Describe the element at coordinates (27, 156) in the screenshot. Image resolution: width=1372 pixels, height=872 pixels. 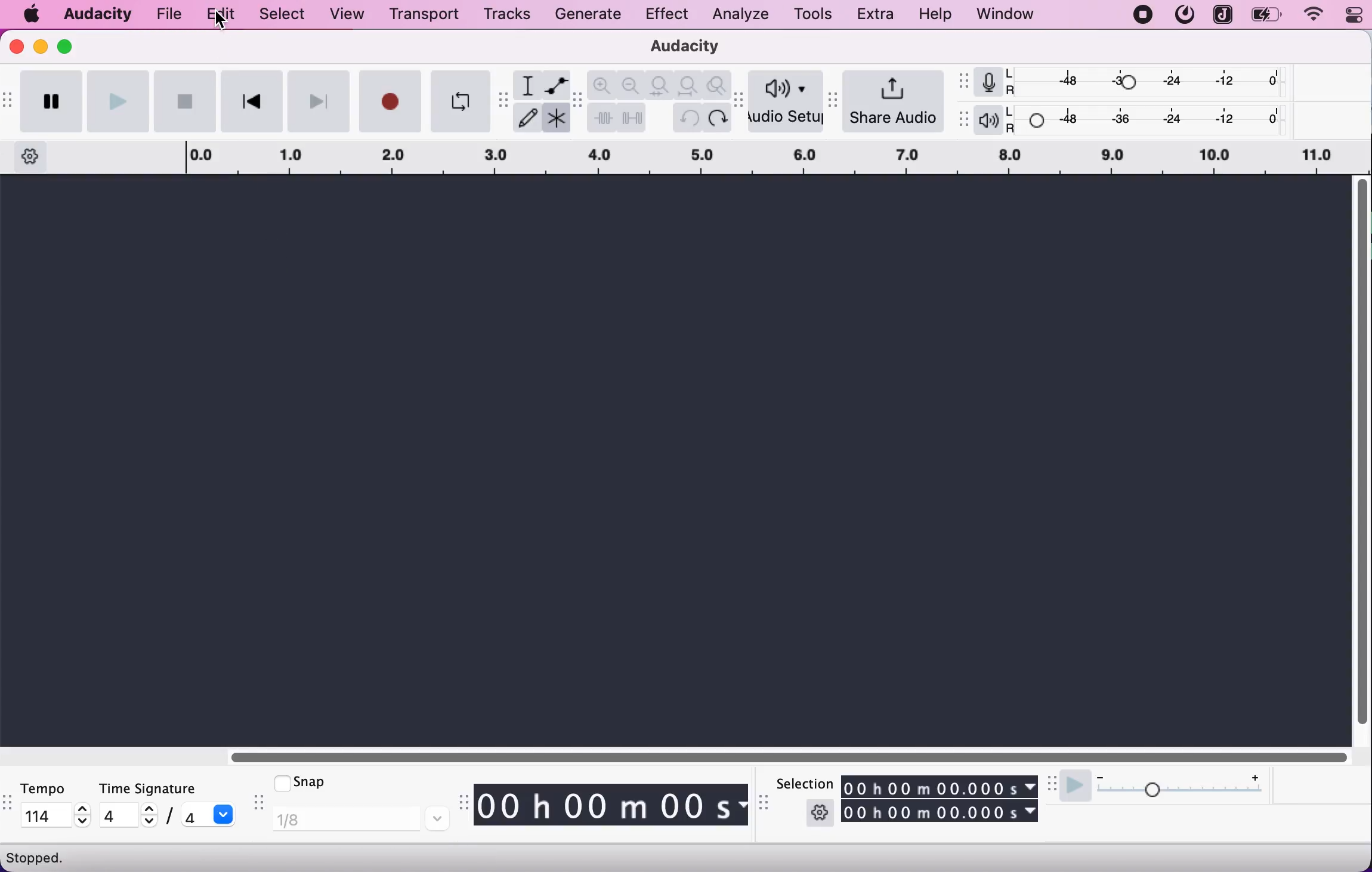
I see `timeline options` at that location.